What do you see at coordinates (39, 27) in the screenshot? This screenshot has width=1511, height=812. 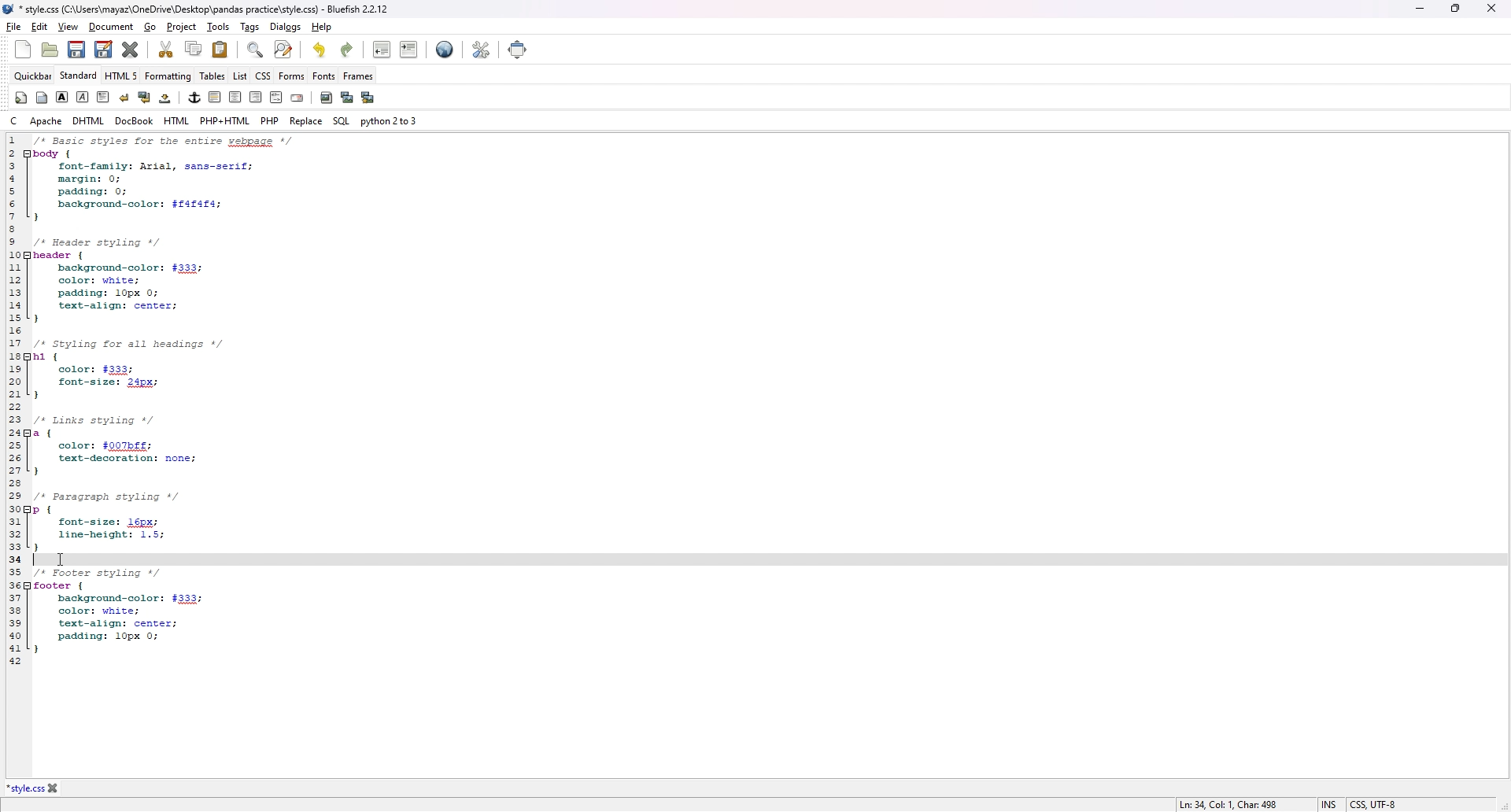 I see `edit` at bounding box center [39, 27].